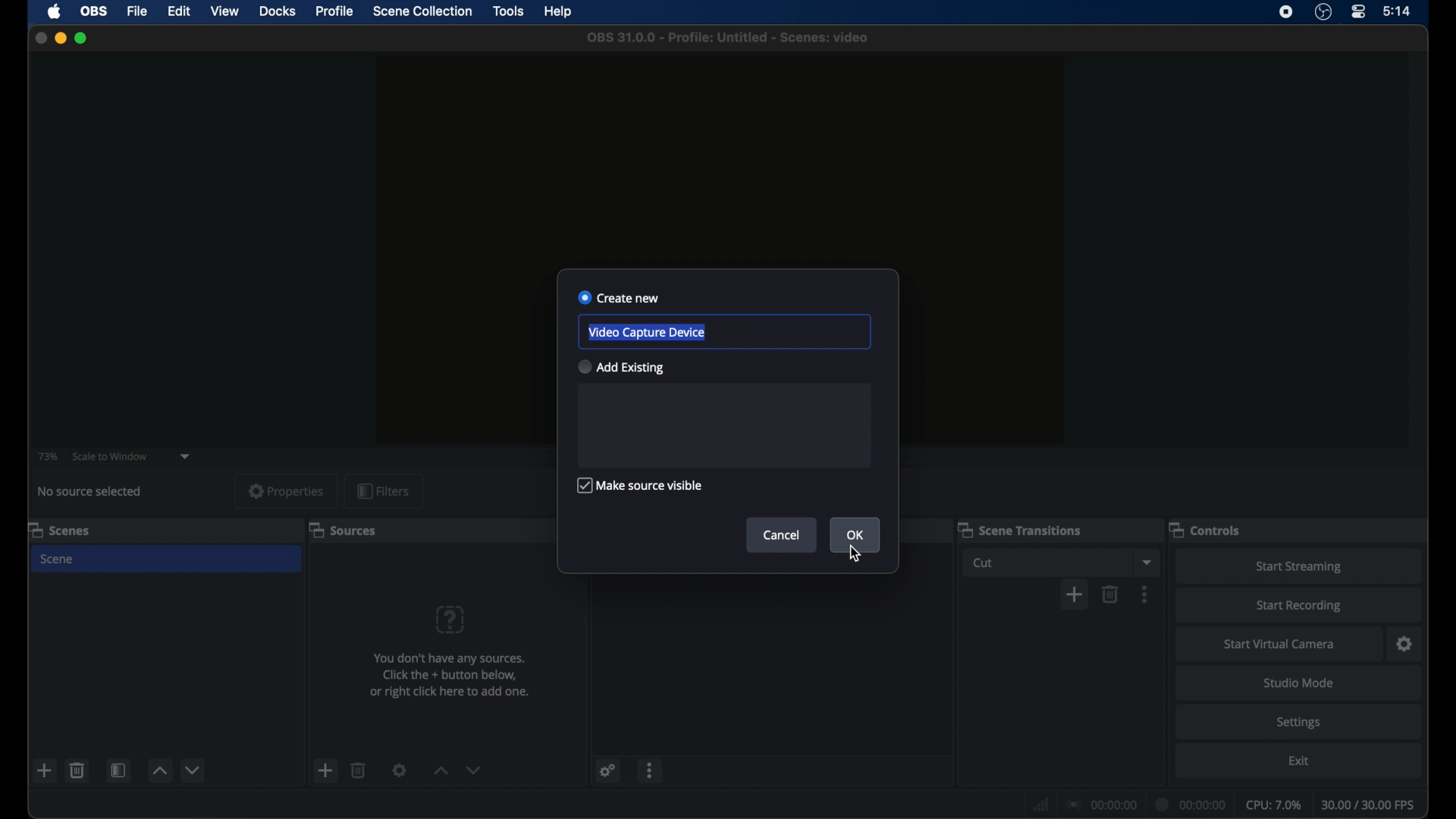 The image size is (1456, 819). I want to click on ‘You don't have any sources.
Click the + button below,
or right click here to add one., so click(452, 677).